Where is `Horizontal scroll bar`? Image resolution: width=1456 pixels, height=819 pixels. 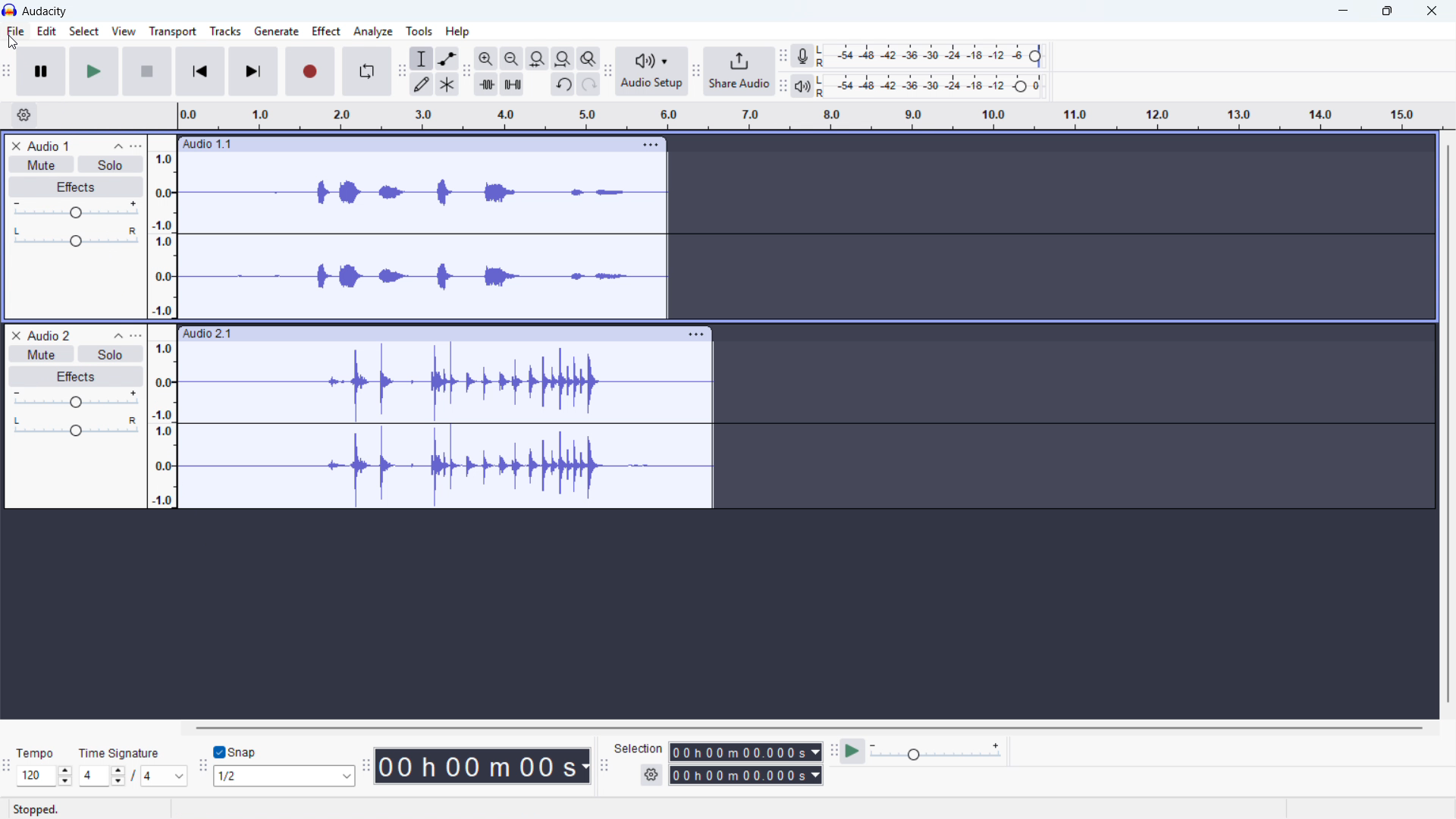 Horizontal scroll bar is located at coordinates (810, 728).